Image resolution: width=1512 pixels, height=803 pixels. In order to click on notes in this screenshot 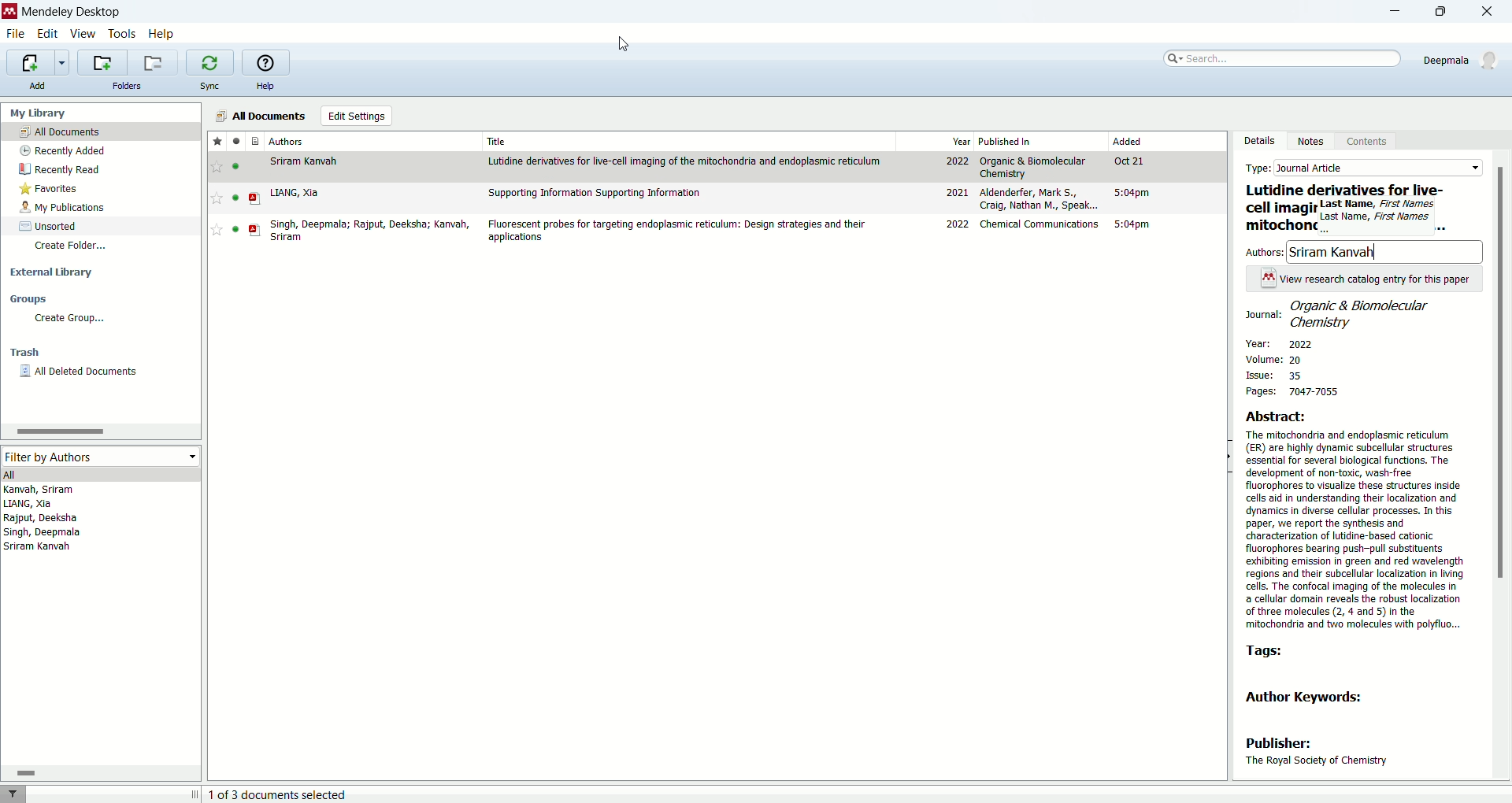, I will do `click(1310, 144)`.